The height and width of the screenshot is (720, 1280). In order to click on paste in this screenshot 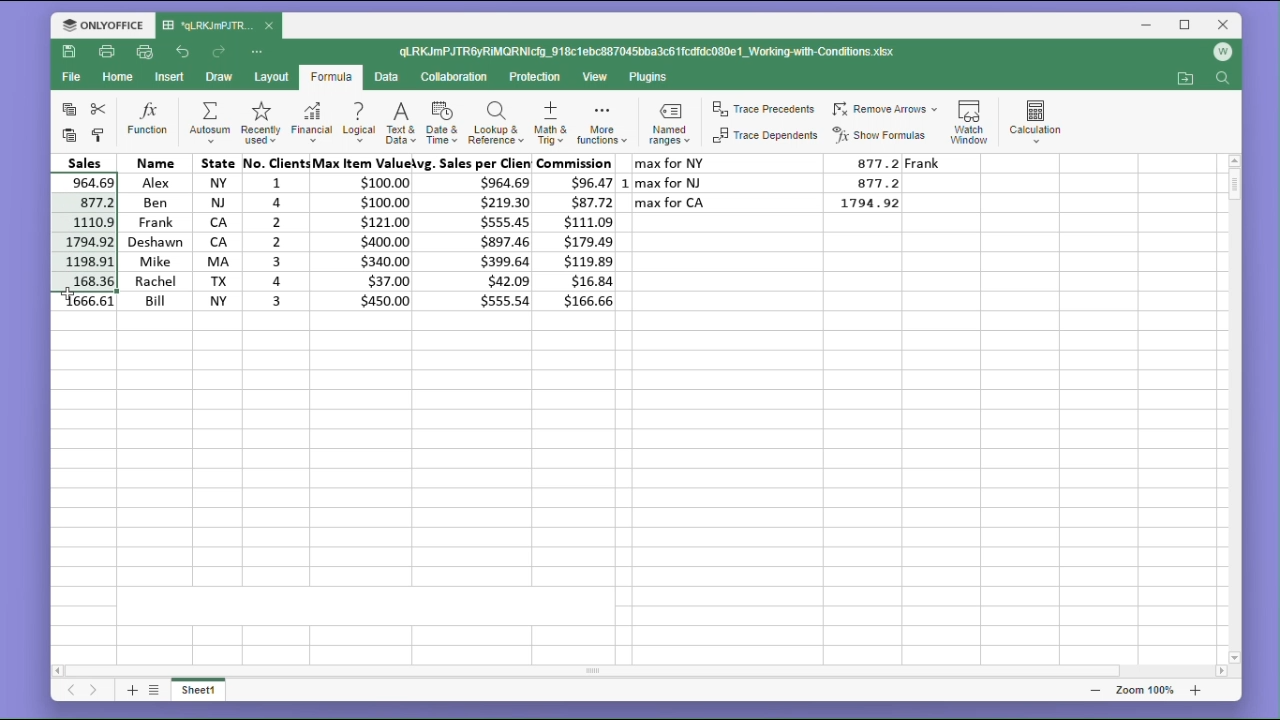, I will do `click(69, 136)`.